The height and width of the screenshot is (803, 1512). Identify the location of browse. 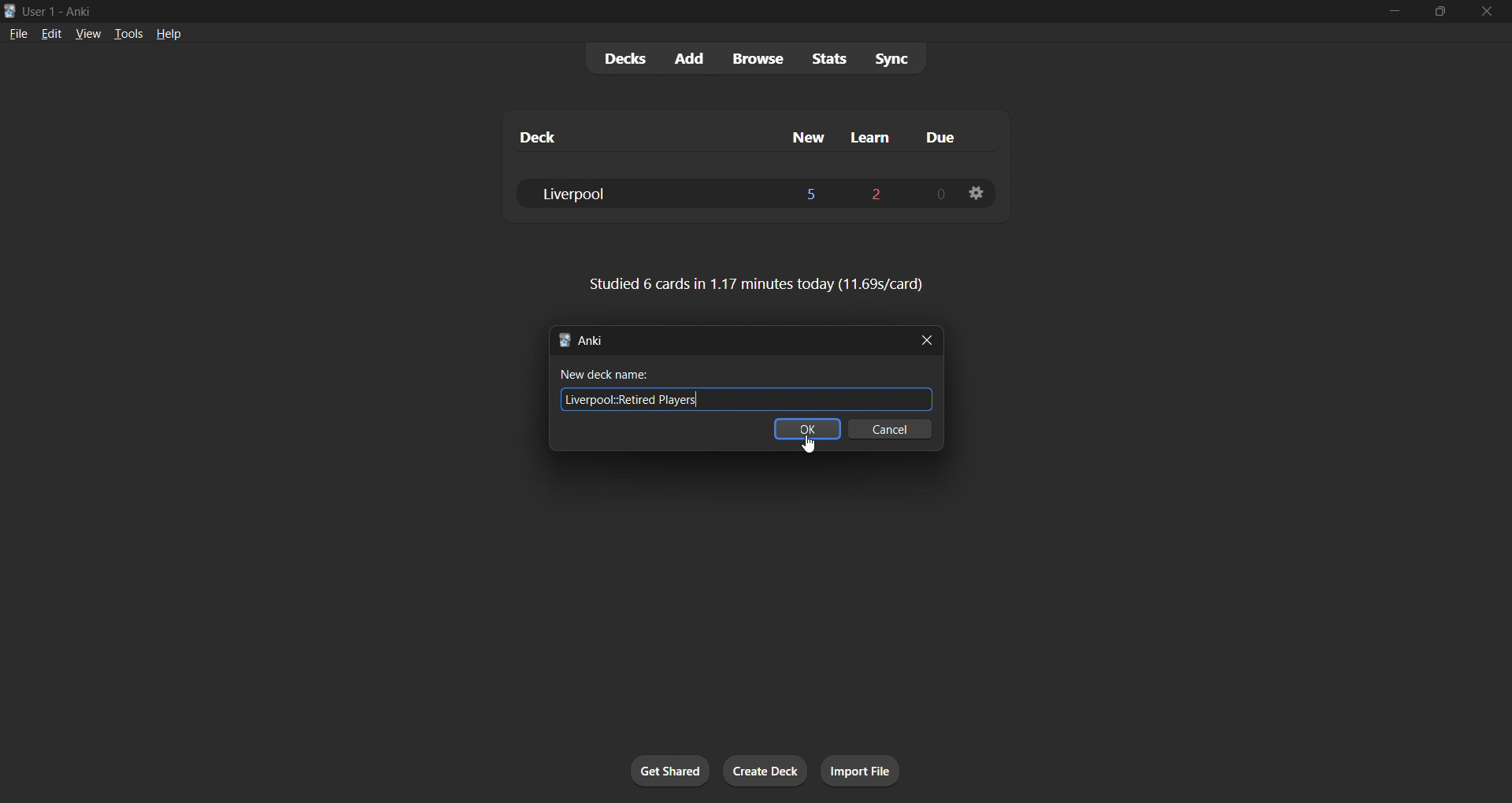
(755, 60).